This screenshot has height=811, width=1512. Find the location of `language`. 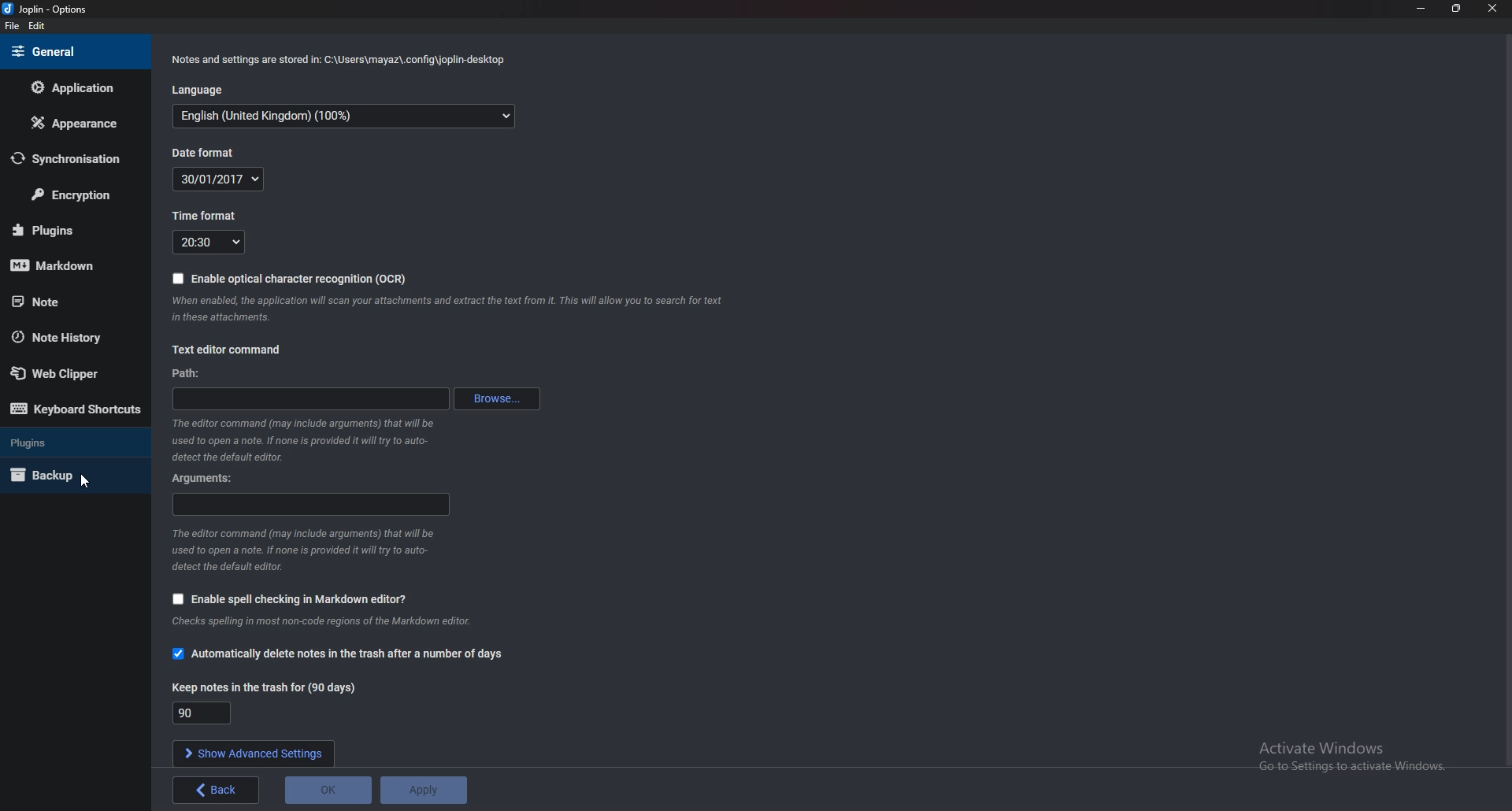

language is located at coordinates (348, 115).